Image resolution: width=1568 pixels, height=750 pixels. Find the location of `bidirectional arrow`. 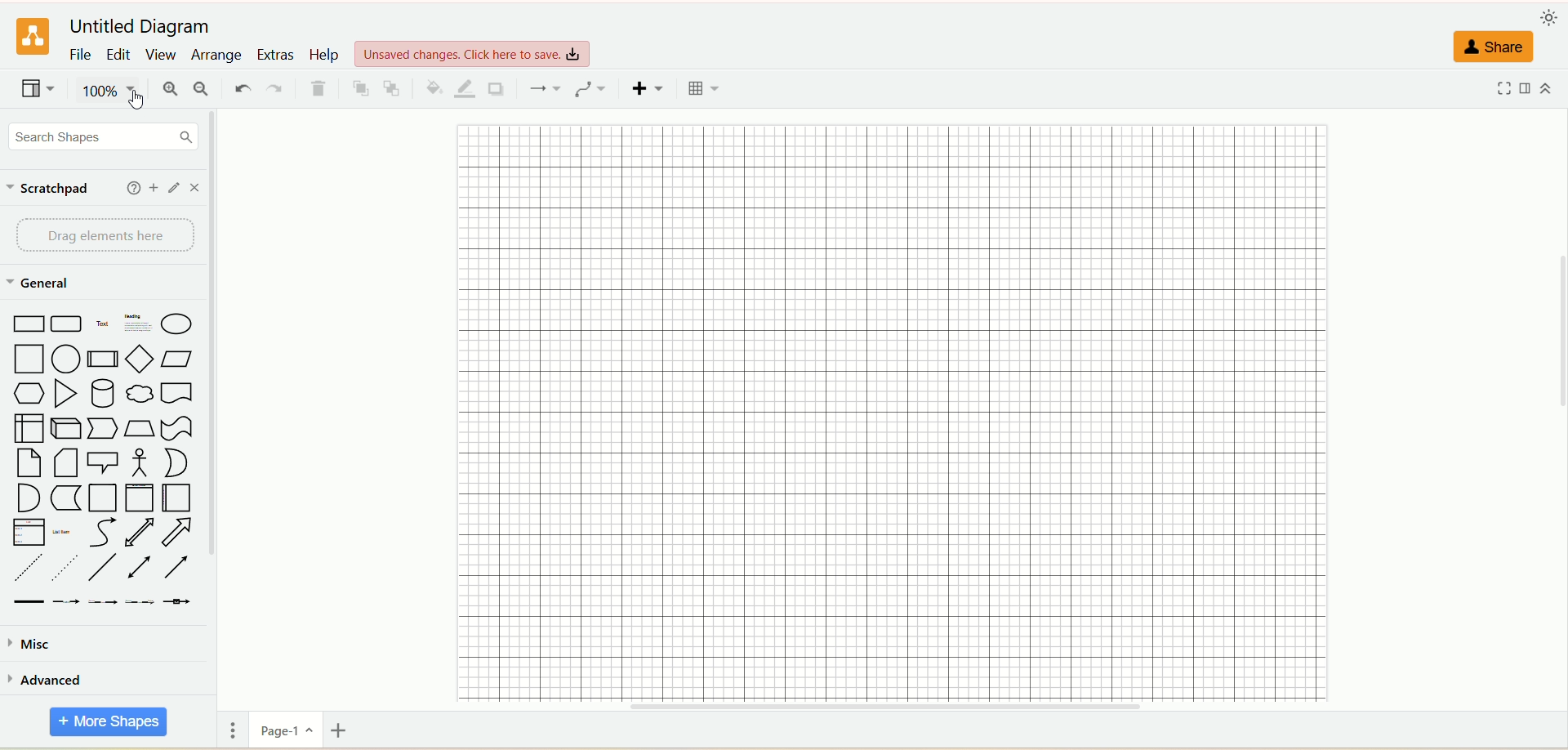

bidirectional arrow is located at coordinates (140, 533).